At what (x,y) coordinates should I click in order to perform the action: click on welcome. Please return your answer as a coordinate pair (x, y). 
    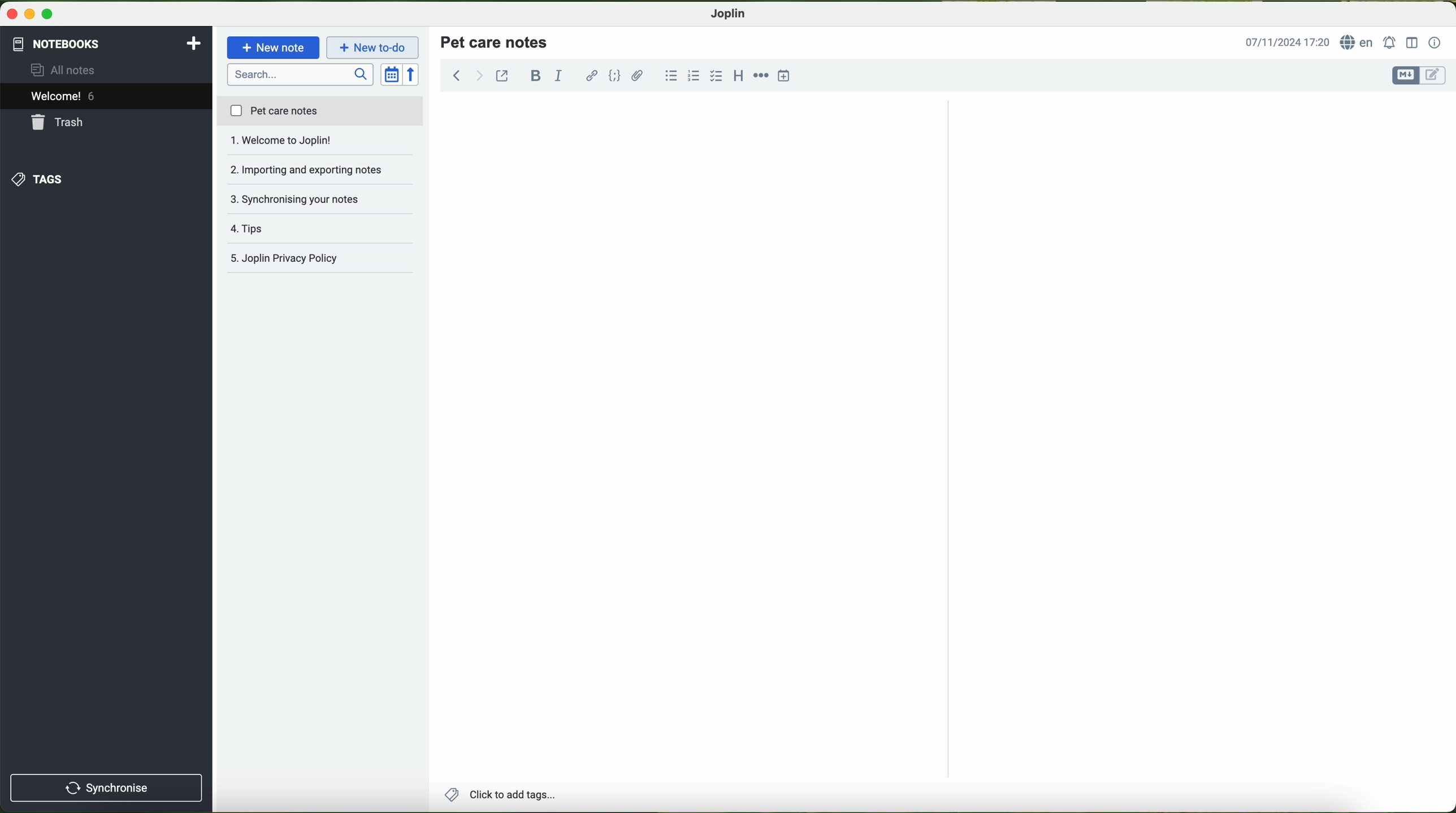
    Looking at the image, I should click on (106, 98).